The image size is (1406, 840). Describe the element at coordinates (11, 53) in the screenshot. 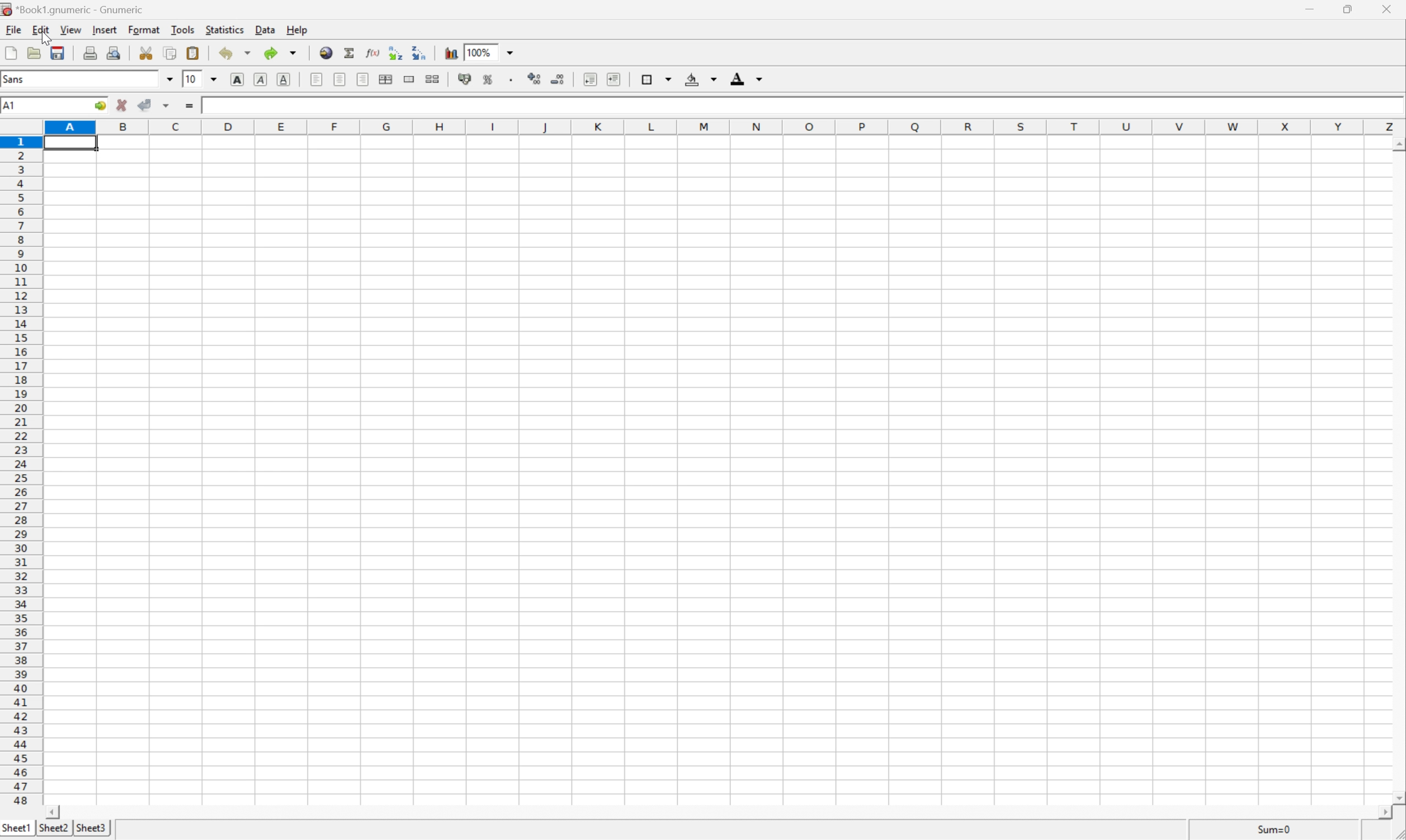

I see `new` at that location.